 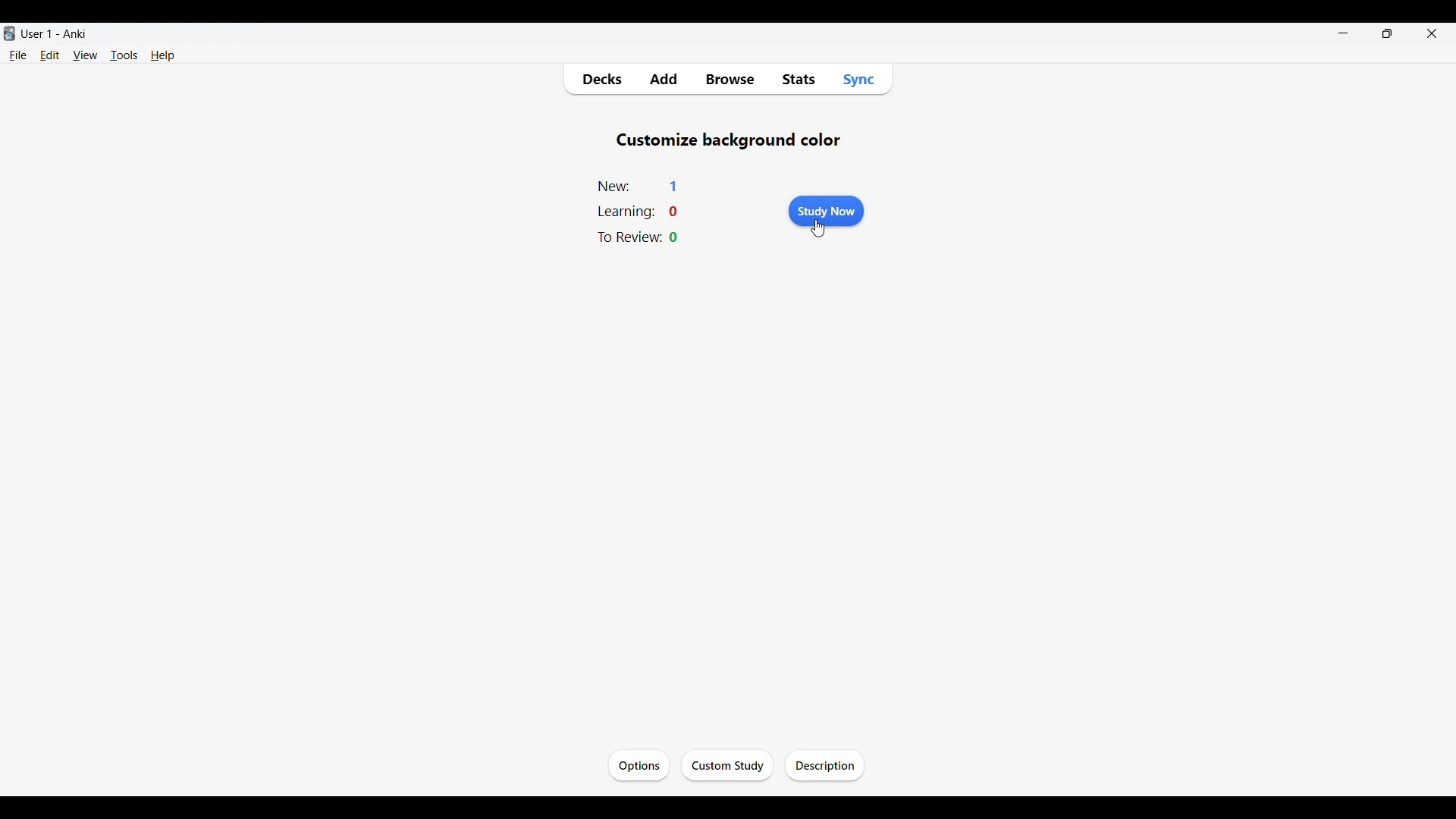 What do you see at coordinates (818, 231) in the screenshot?
I see `Cursor clicking on Study Now` at bounding box center [818, 231].